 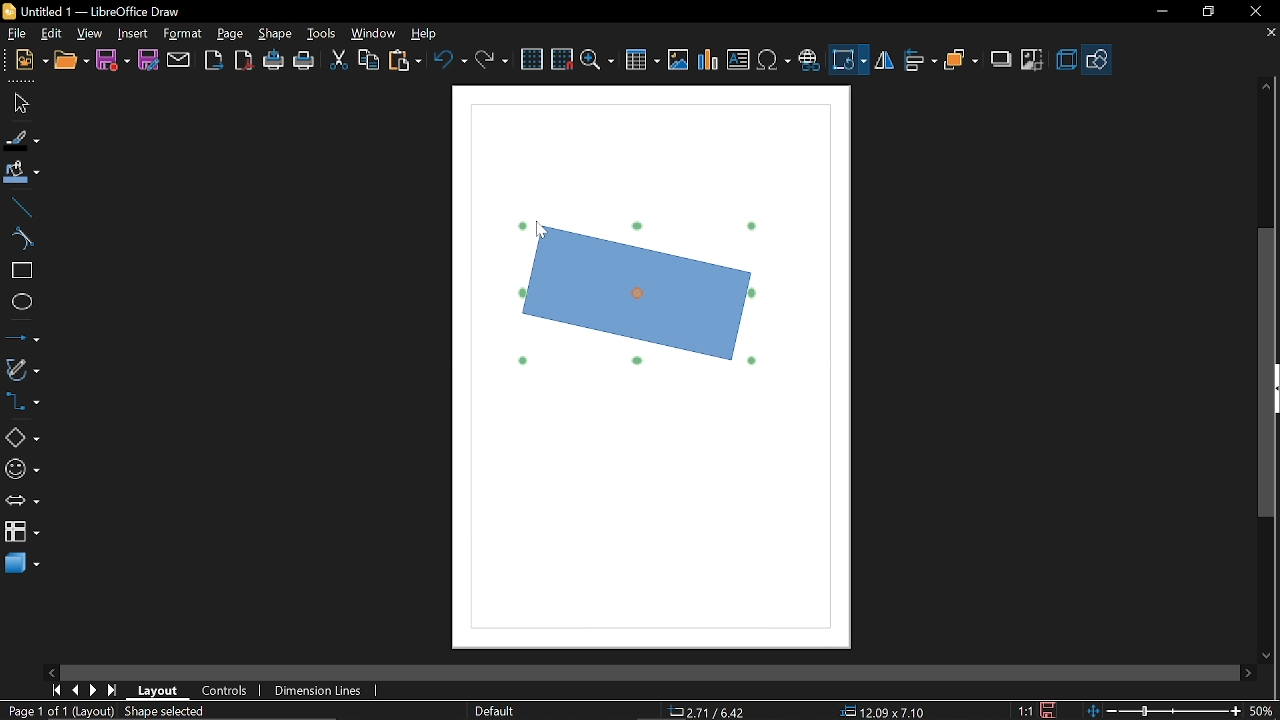 I want to click on Move right, so click(x=1247, y=673).